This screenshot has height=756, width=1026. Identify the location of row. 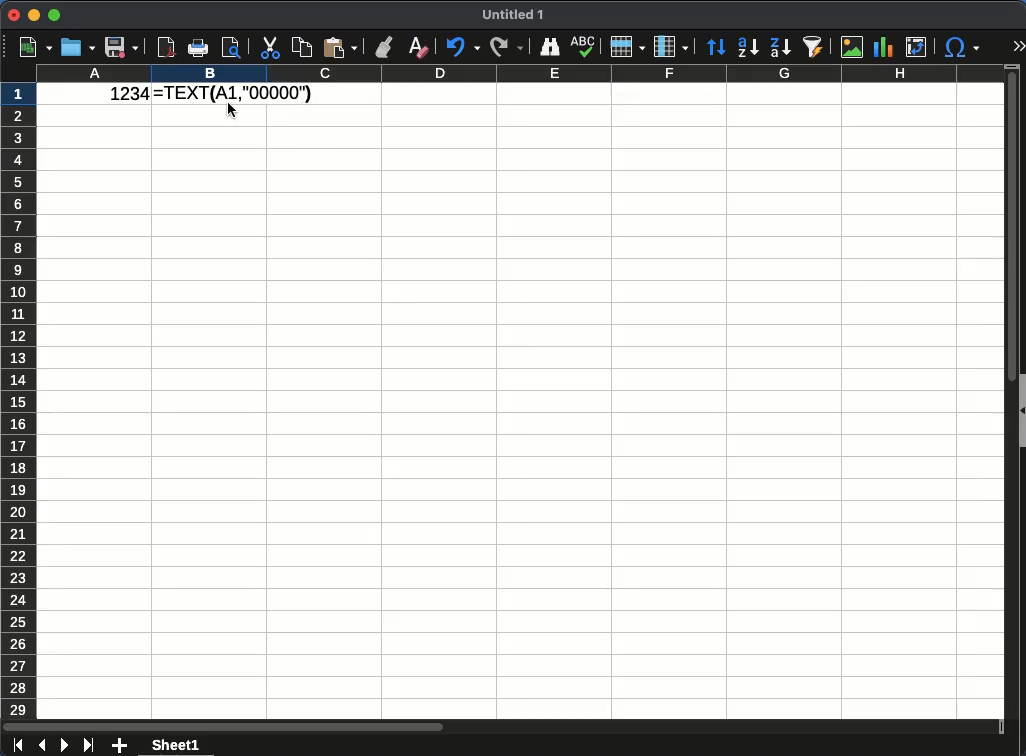
(625, 47).